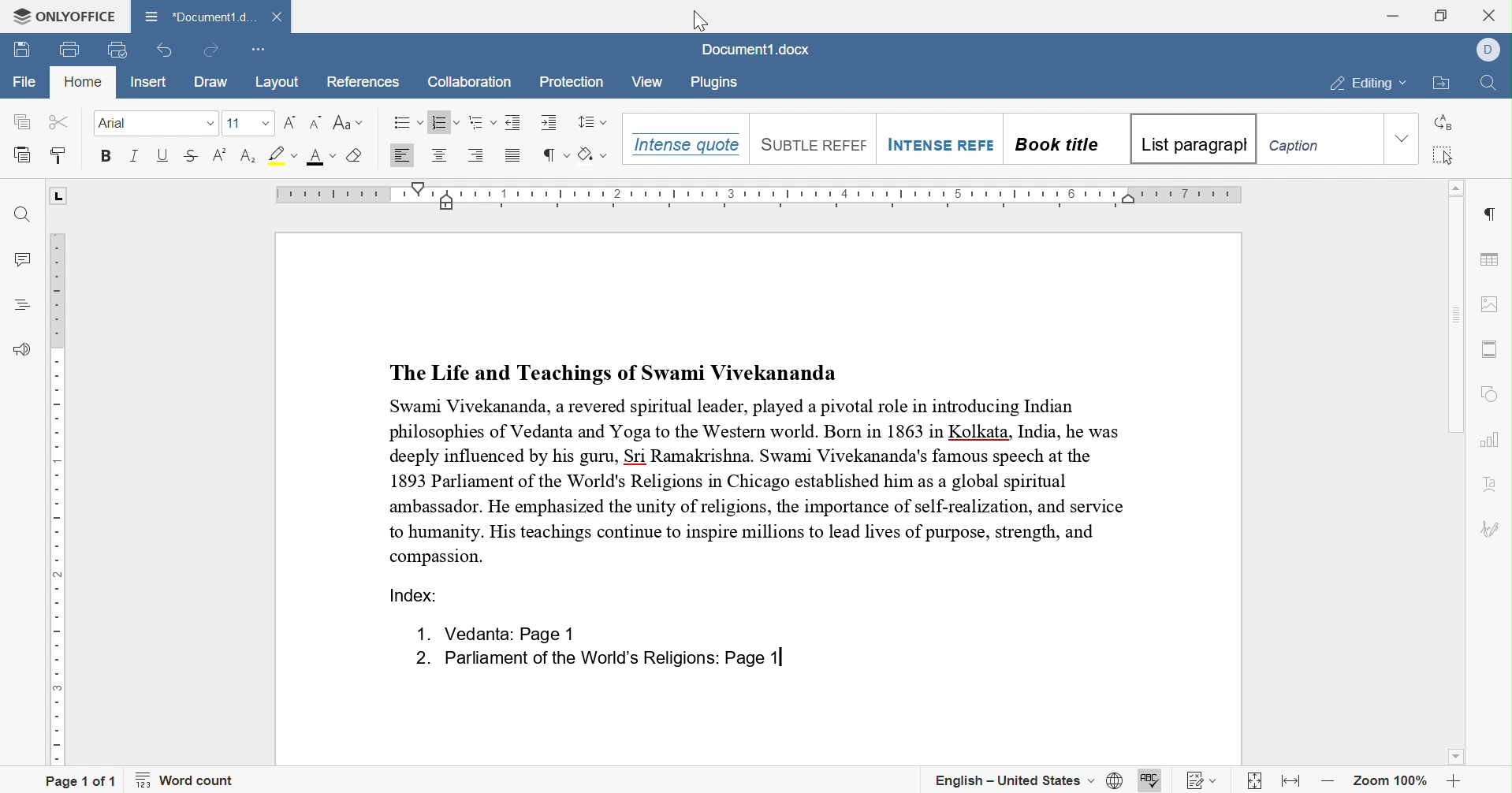  I want to click on headings, so click(24, 304).